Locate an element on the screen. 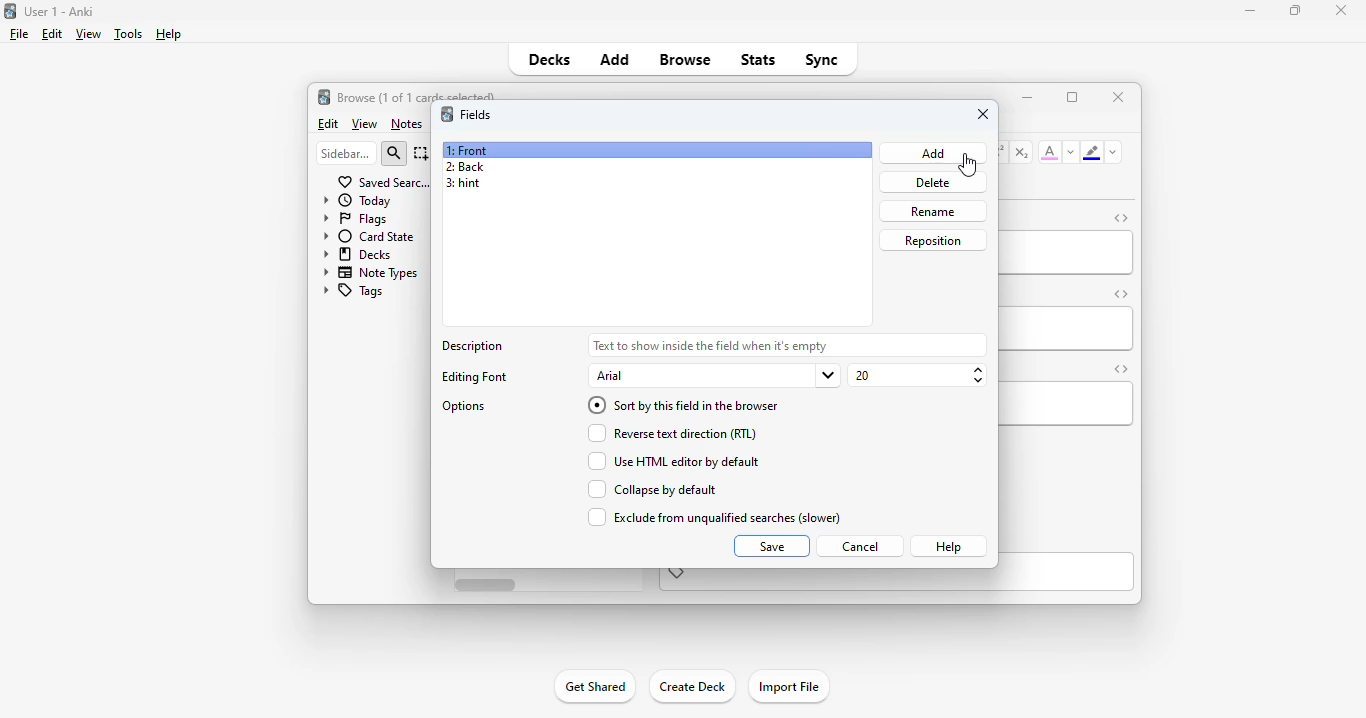 The image size is (1366, 718). select is located at coordinates (422, 153).